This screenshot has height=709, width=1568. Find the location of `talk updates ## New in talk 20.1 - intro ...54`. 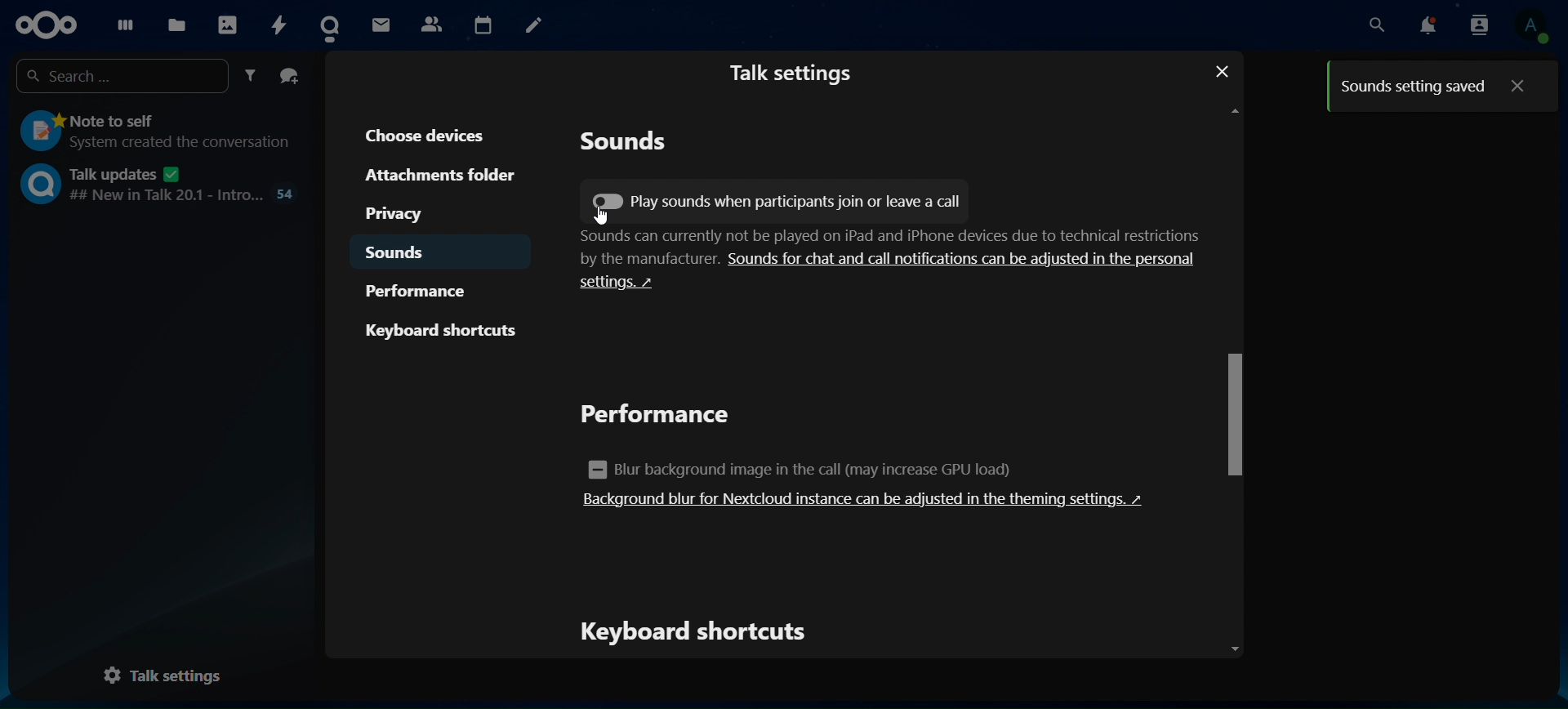

talk updates ## New in talk 20.1 - intro ...54 is located at coordinates (158, 183).